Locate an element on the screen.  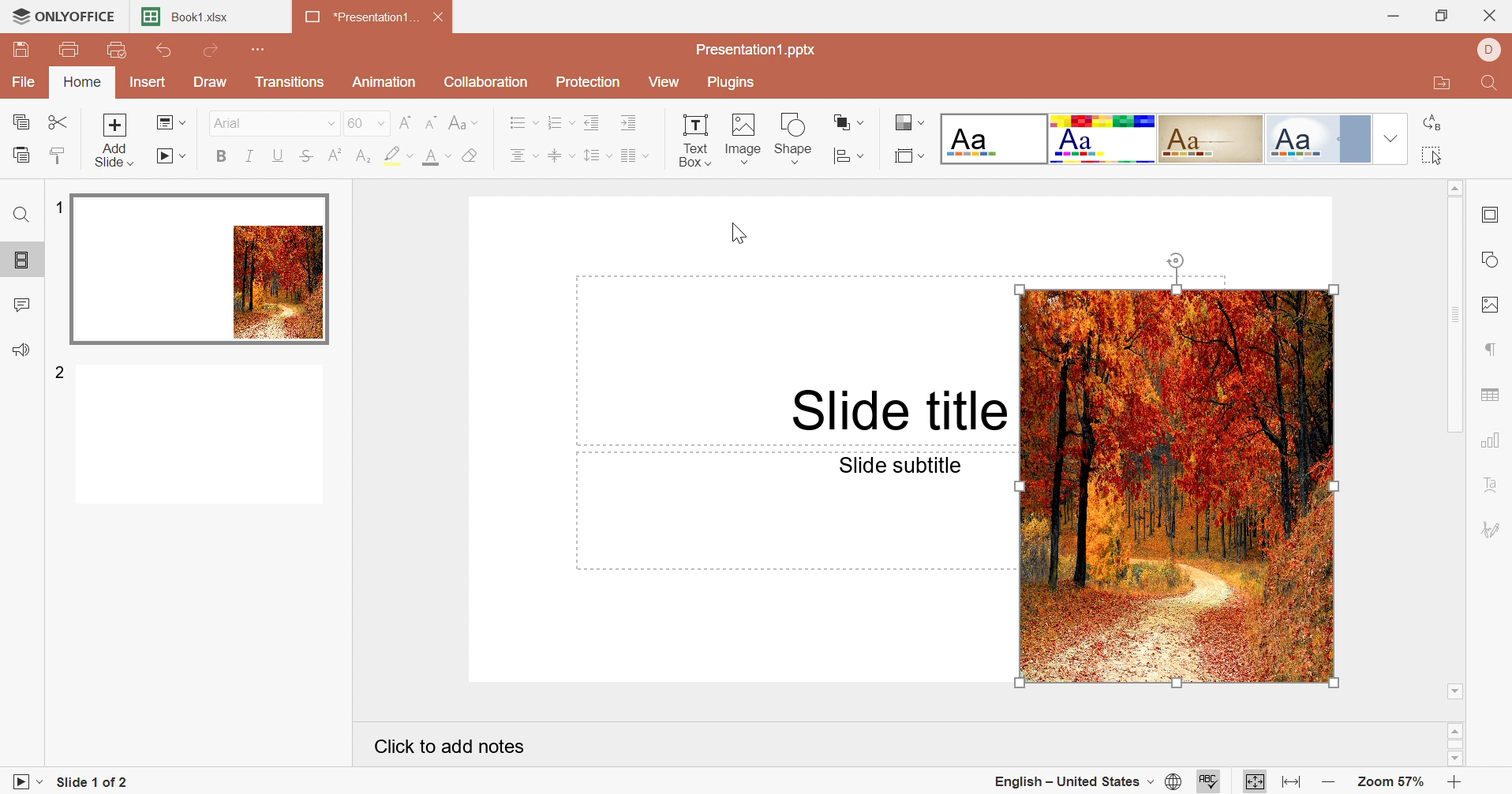
Shape is located at coordinates (796, 137).